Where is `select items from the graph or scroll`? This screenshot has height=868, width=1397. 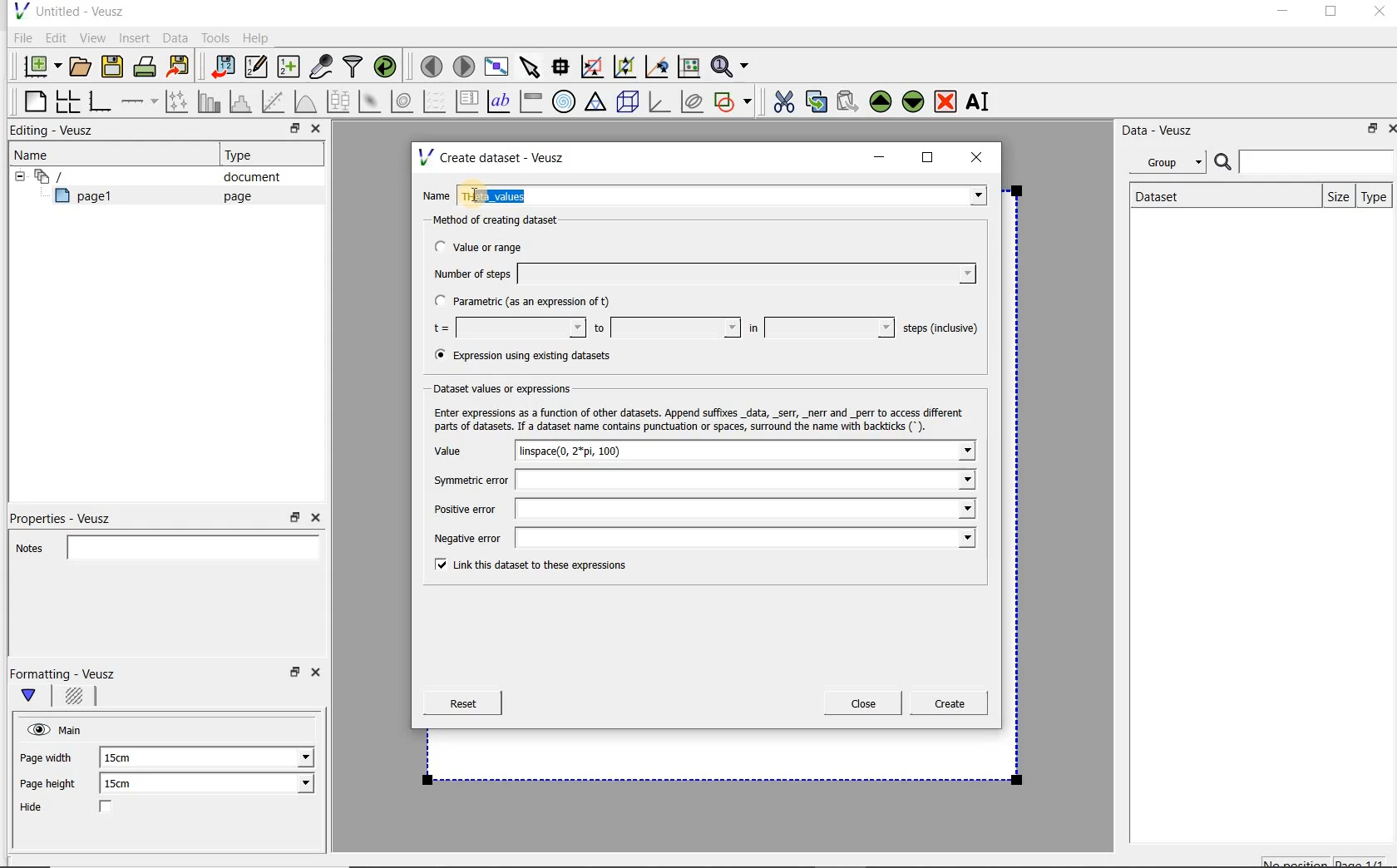
select items from the graph or scroll is located at coordinates (529, 65).